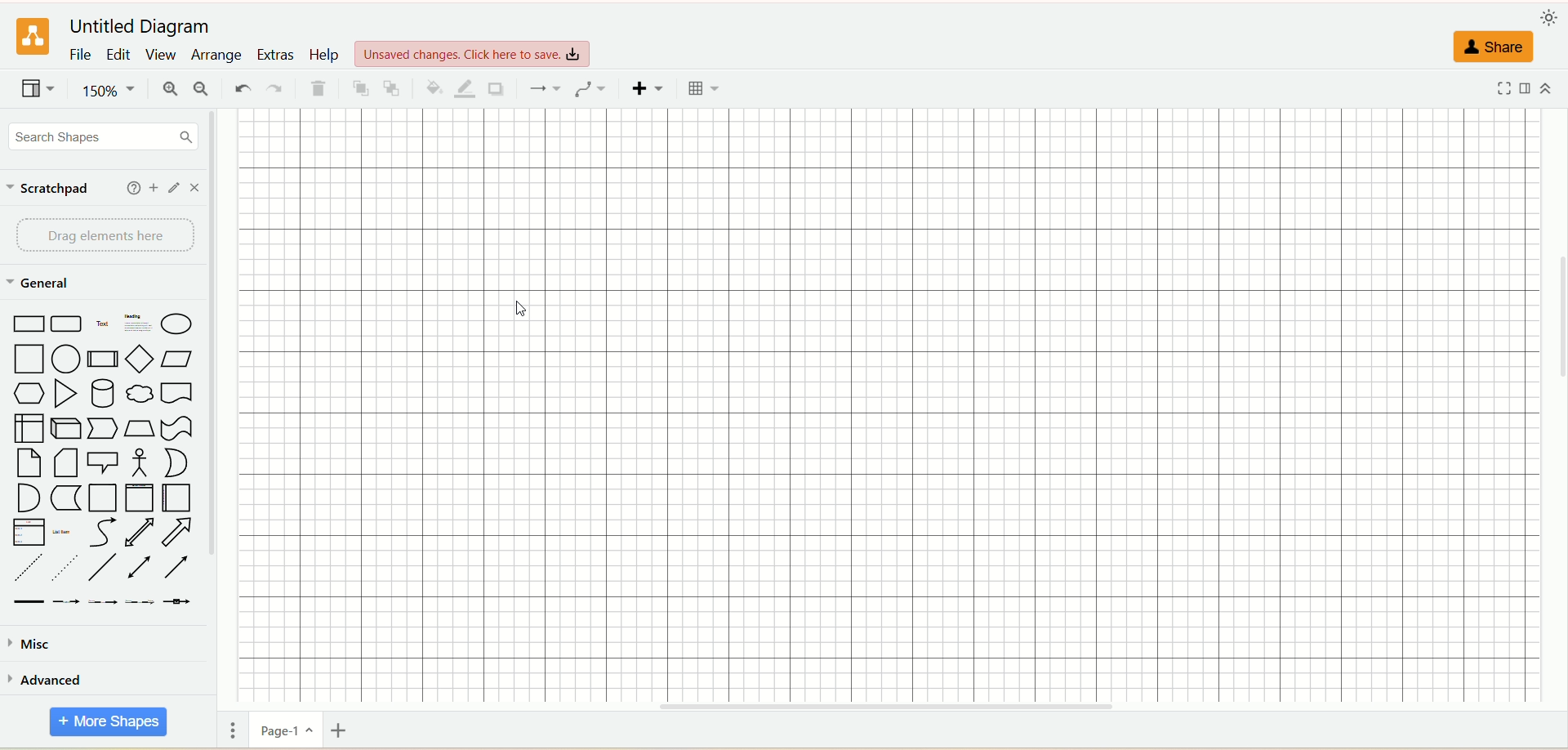 The image size is (1568, 750). What do you see at coordinates (65, 568) in the screenshot?
I see `dotted line` at bounding box center [65, 568].